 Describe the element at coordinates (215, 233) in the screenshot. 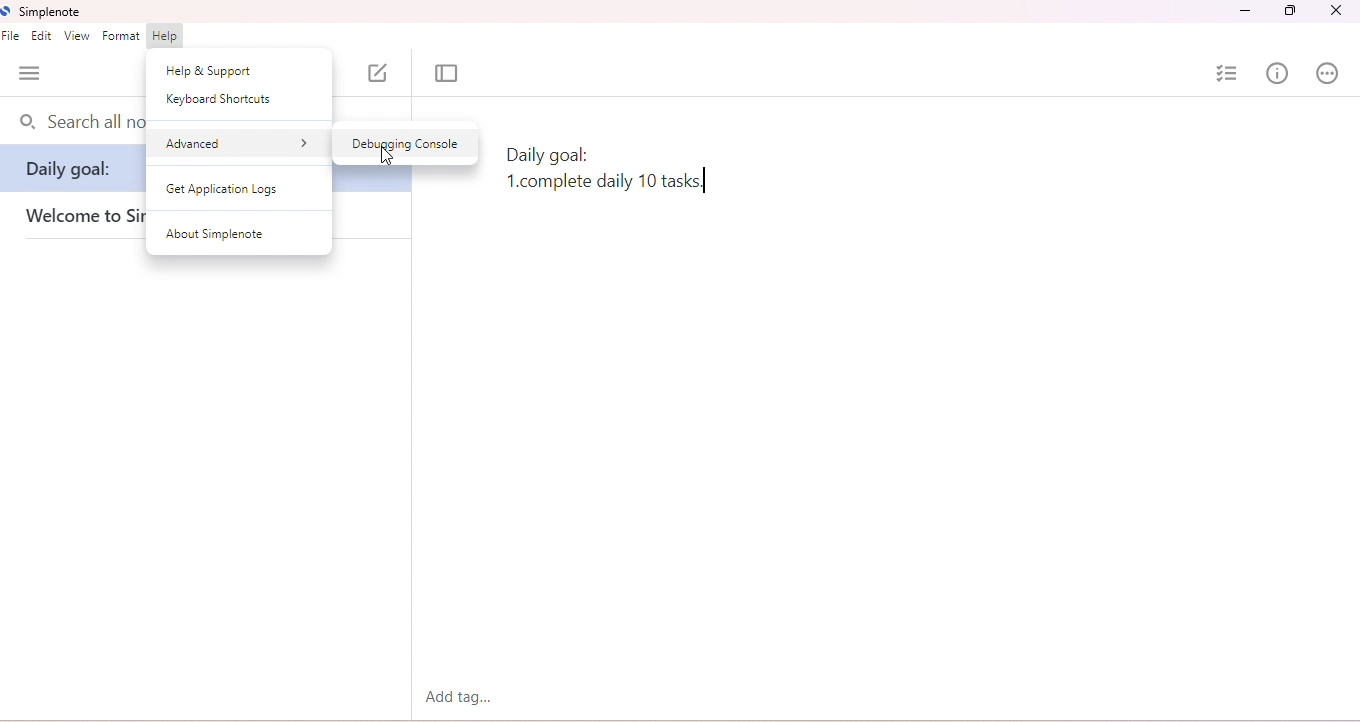

I see `about simplenote` at that location.